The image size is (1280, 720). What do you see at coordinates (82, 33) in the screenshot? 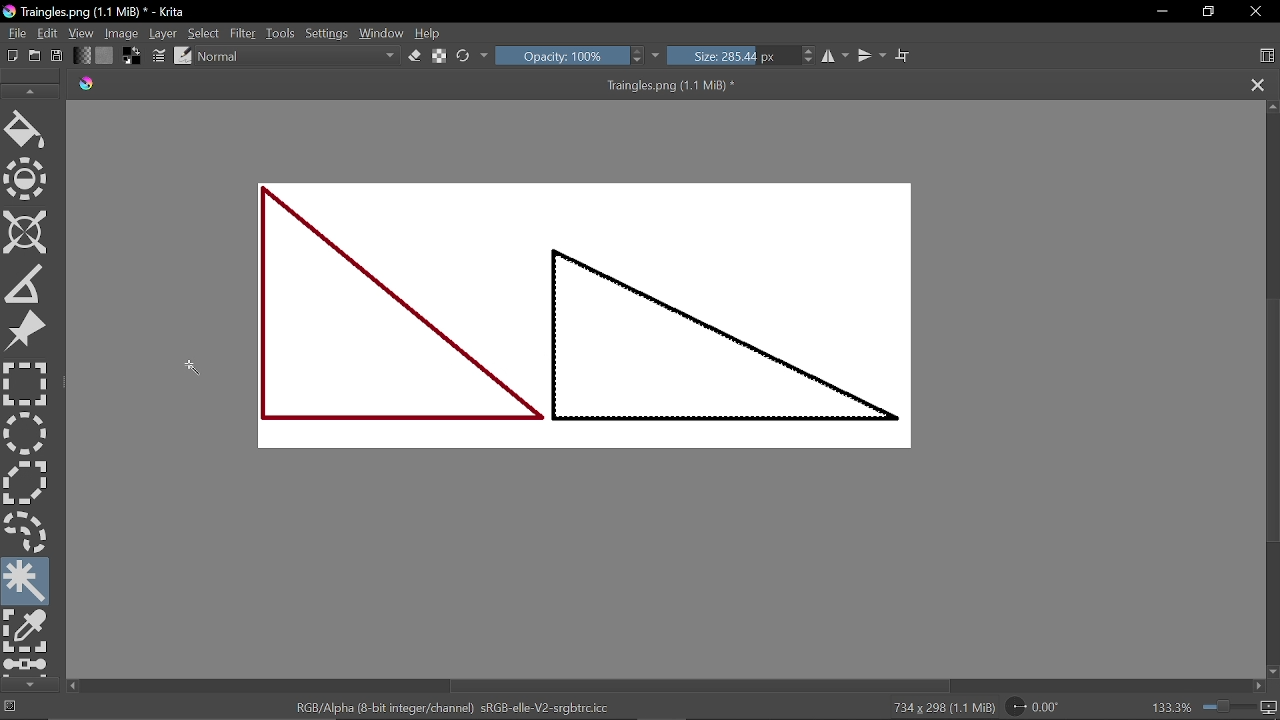
I see `View` at bounding box center [82, 33].